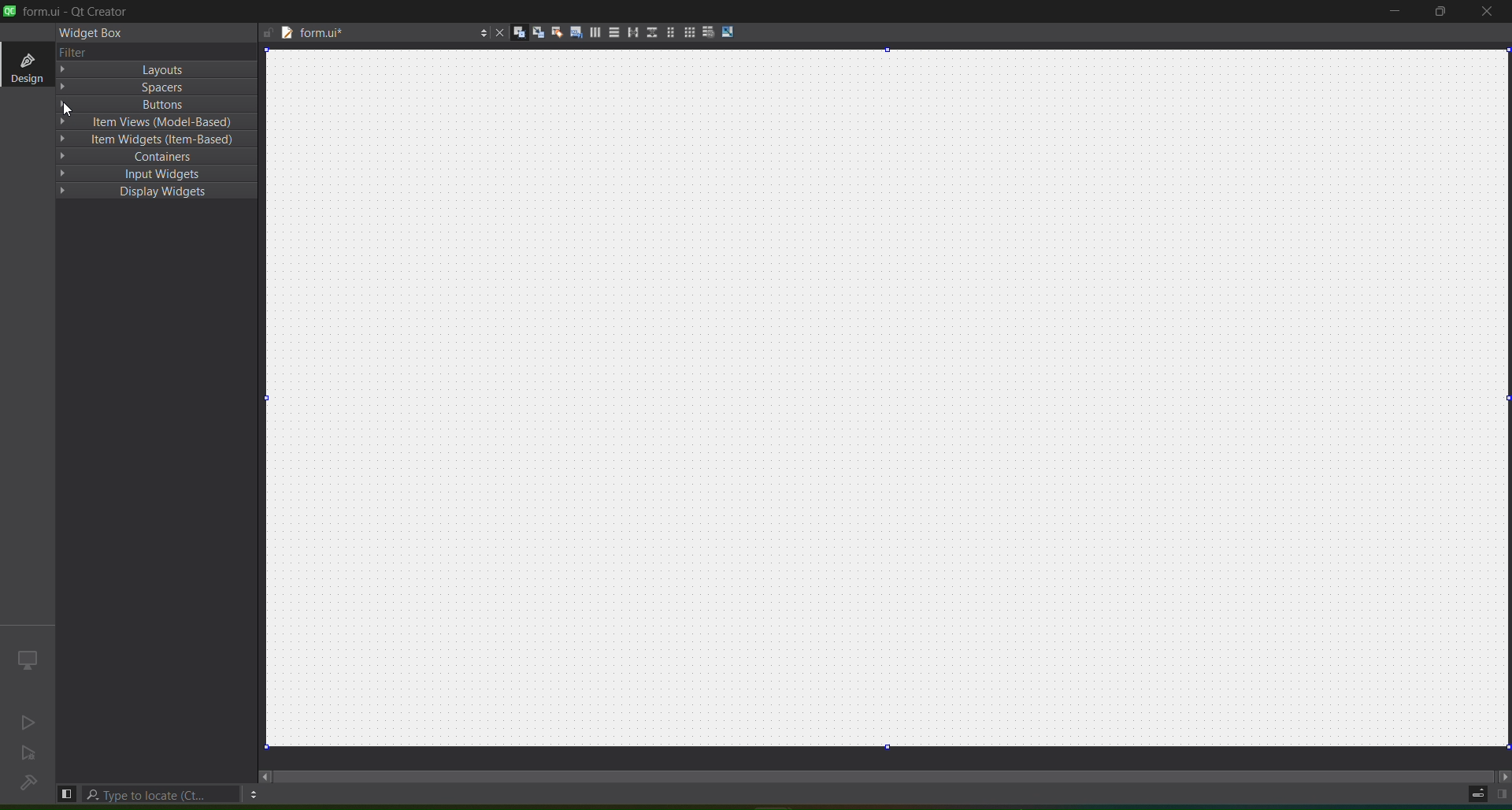 The height and width of the screenshot is (810, 1512). Describe the element at coordinates (1475, 795) in the screenshot. I see `progress details` at that location.